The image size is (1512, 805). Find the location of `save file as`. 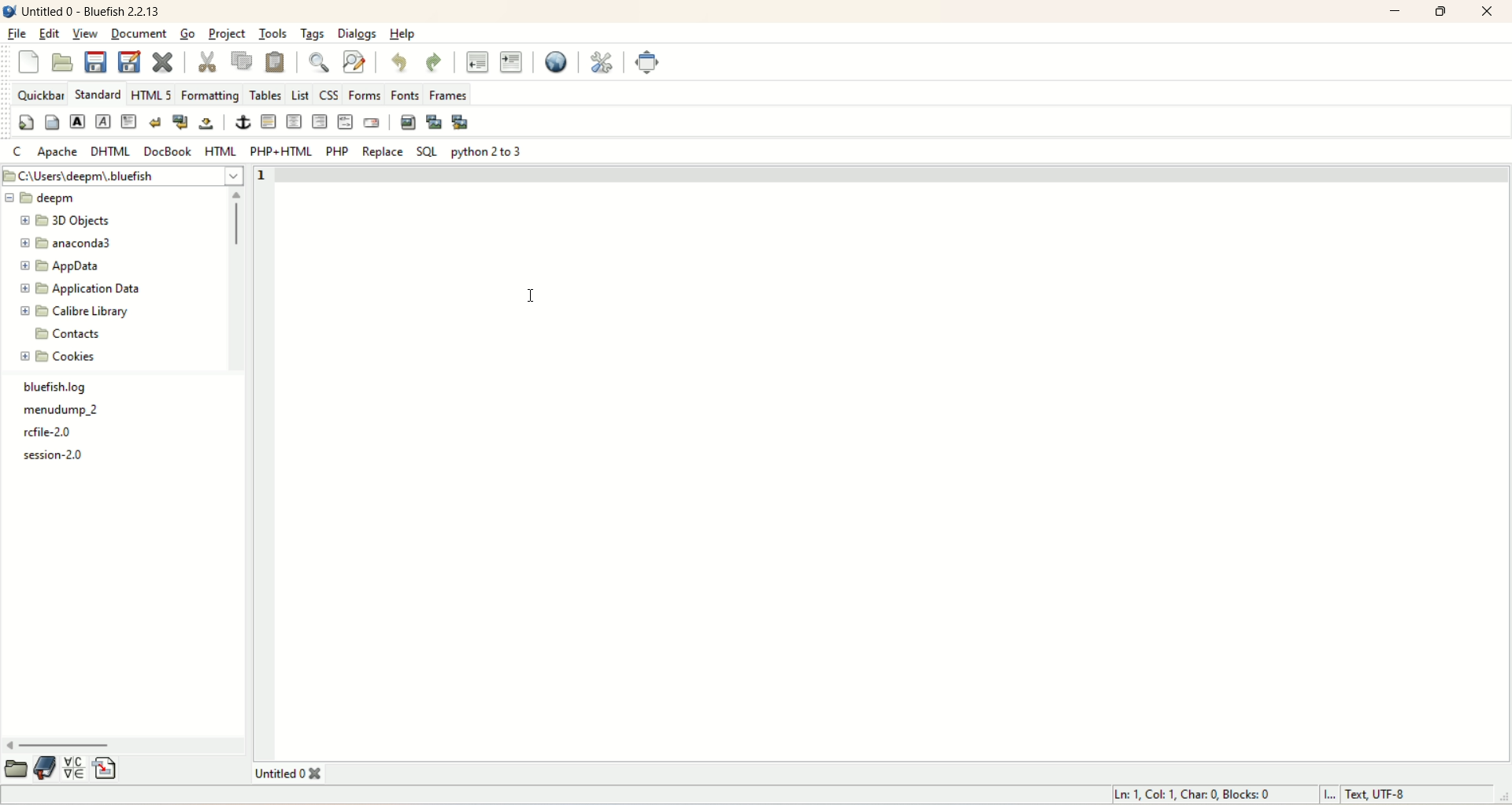

save file as is located at coordinates (129, 62).